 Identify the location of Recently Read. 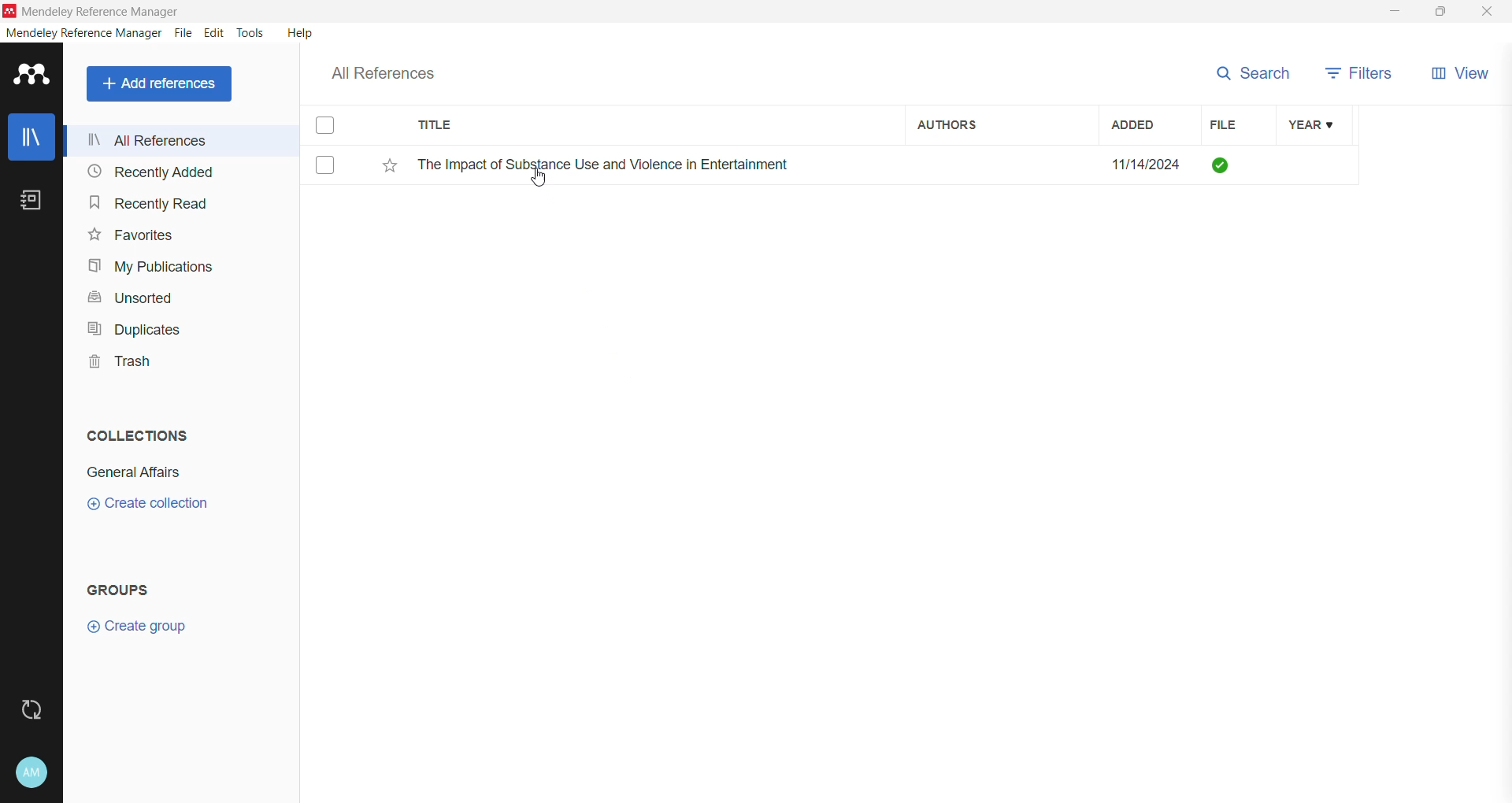
(148, 202).